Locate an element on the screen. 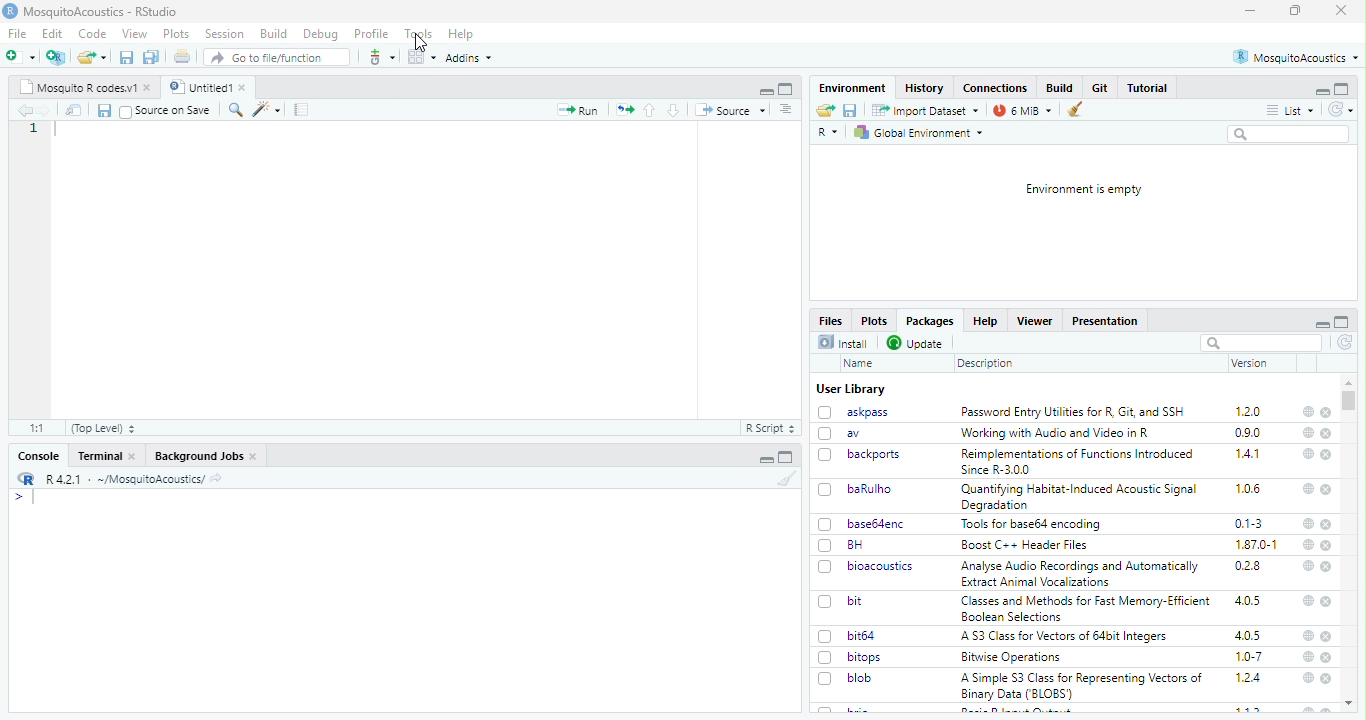 This screenshot has width=1366, height=720. searchbox is located at coordinates (1261, 343).